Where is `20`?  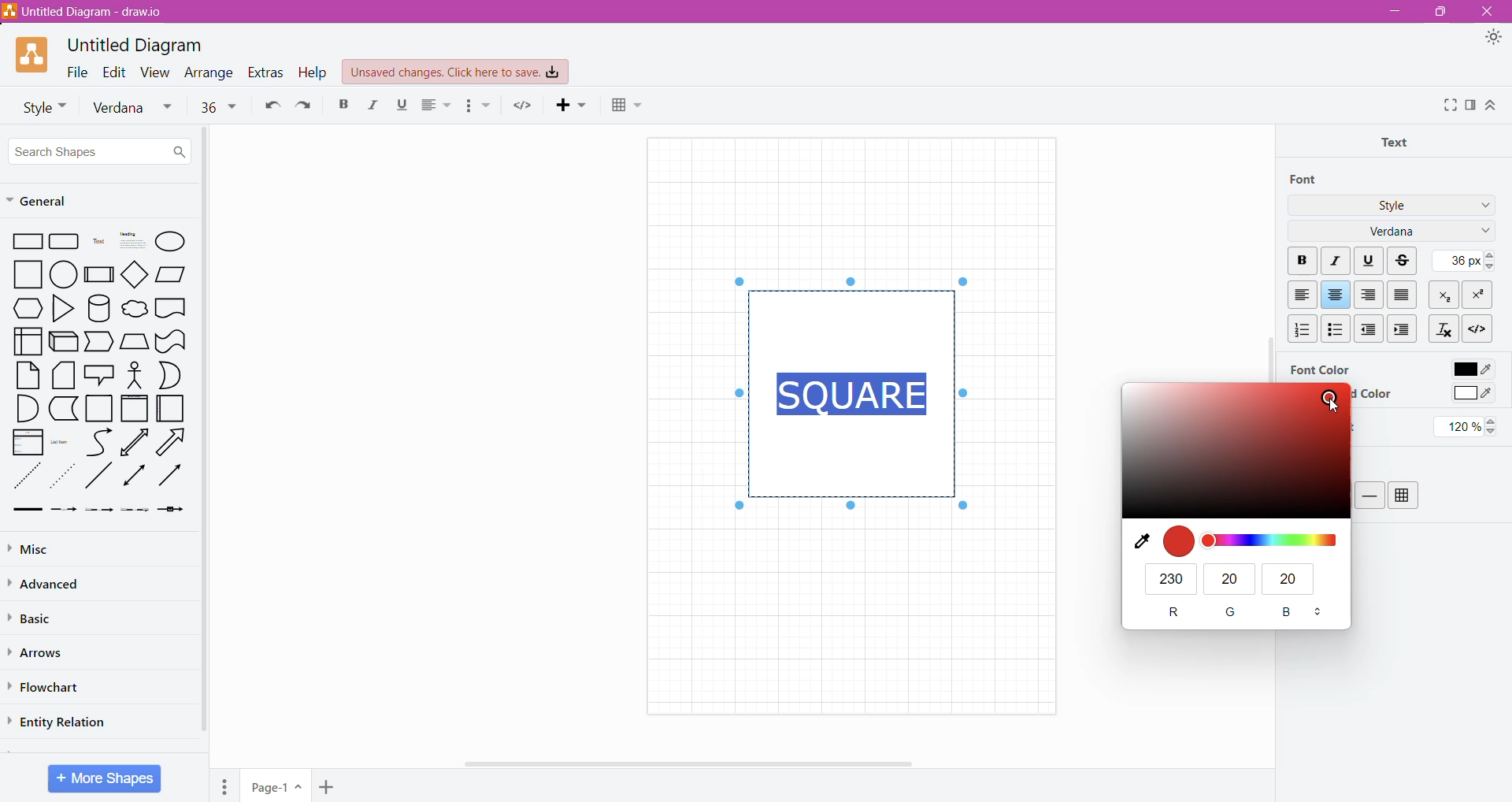 20 is located at coordinates (1230, 578).